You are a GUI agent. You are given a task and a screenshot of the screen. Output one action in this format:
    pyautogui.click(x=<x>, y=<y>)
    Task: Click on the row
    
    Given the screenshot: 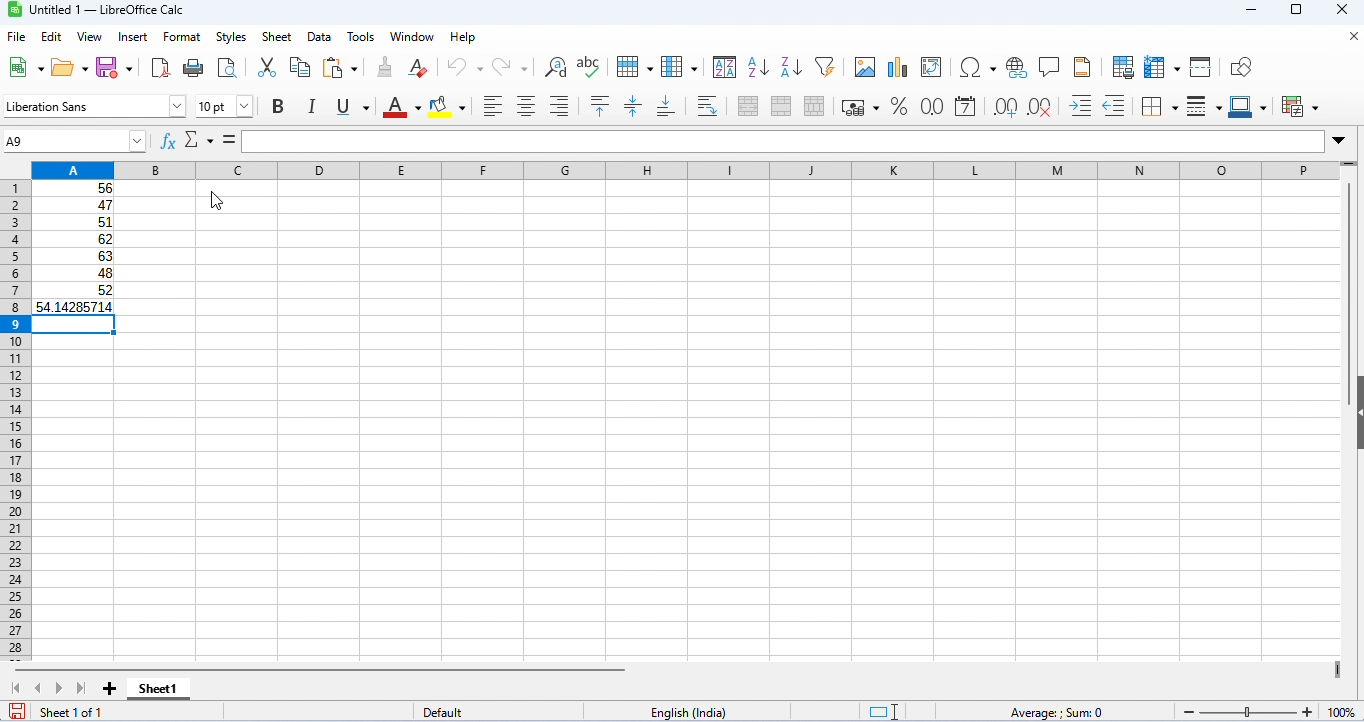 What is the action you would take?
    pyautogui.click(x=633, y=65)
    